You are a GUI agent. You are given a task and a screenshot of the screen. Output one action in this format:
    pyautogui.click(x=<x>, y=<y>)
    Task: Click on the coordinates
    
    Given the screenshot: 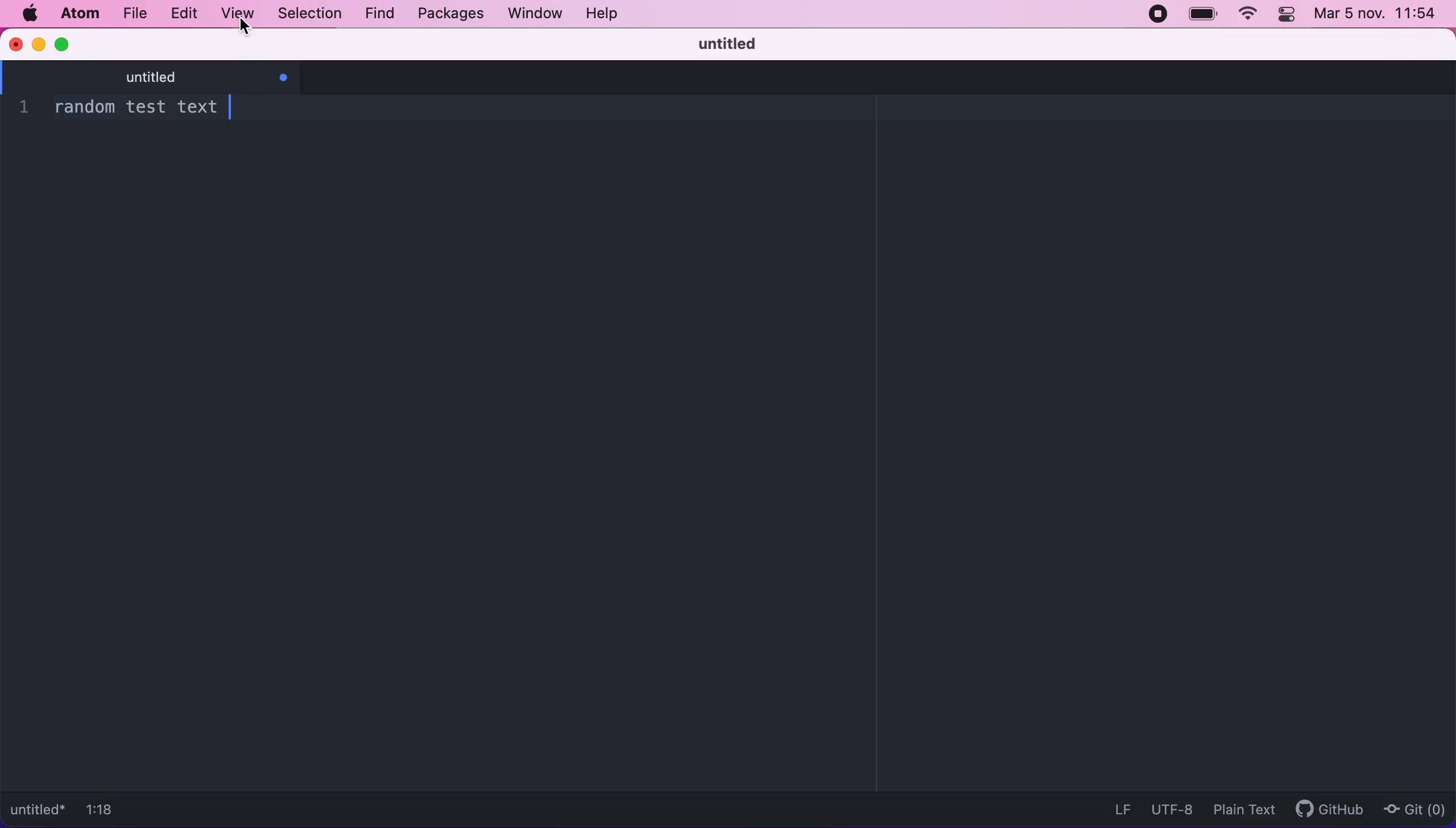 What is the action you would take?
    pyautogui.click(x=112, y=812)
    